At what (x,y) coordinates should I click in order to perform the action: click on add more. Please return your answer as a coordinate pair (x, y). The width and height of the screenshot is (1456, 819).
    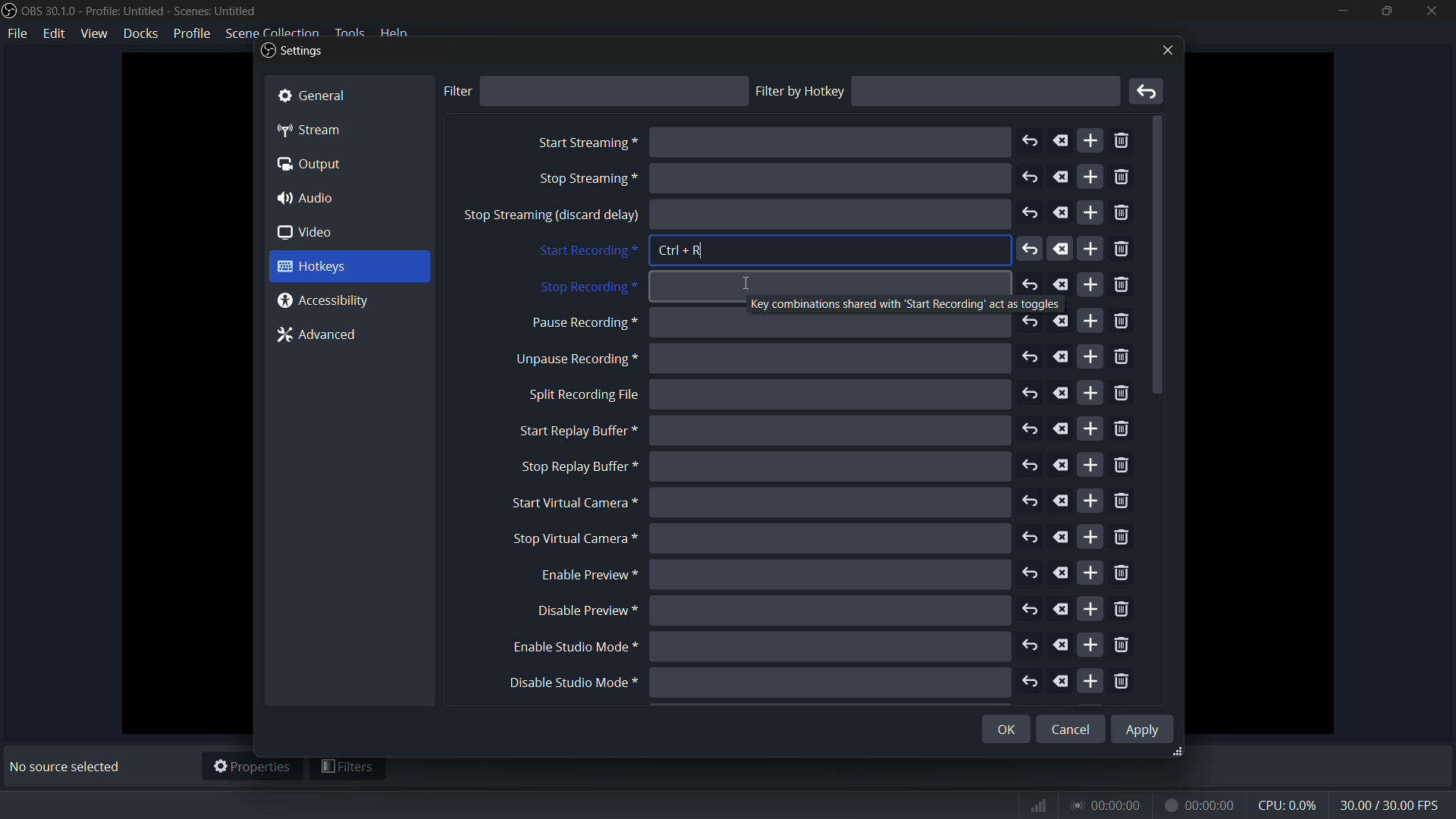
    Looking at the image, I should click on (1091, 610).